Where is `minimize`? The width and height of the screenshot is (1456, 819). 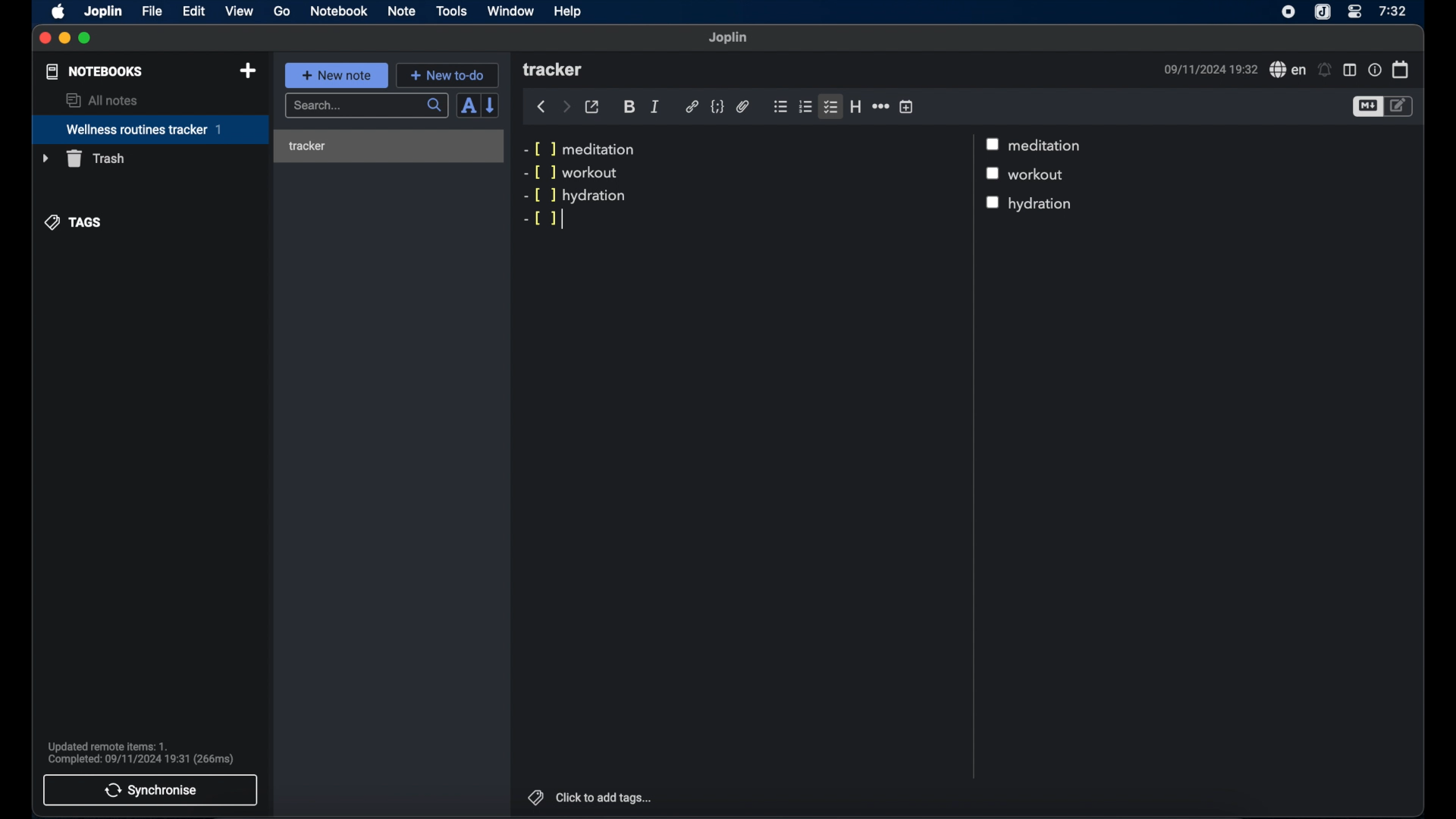
minimize is located at coordinates (65, 39).